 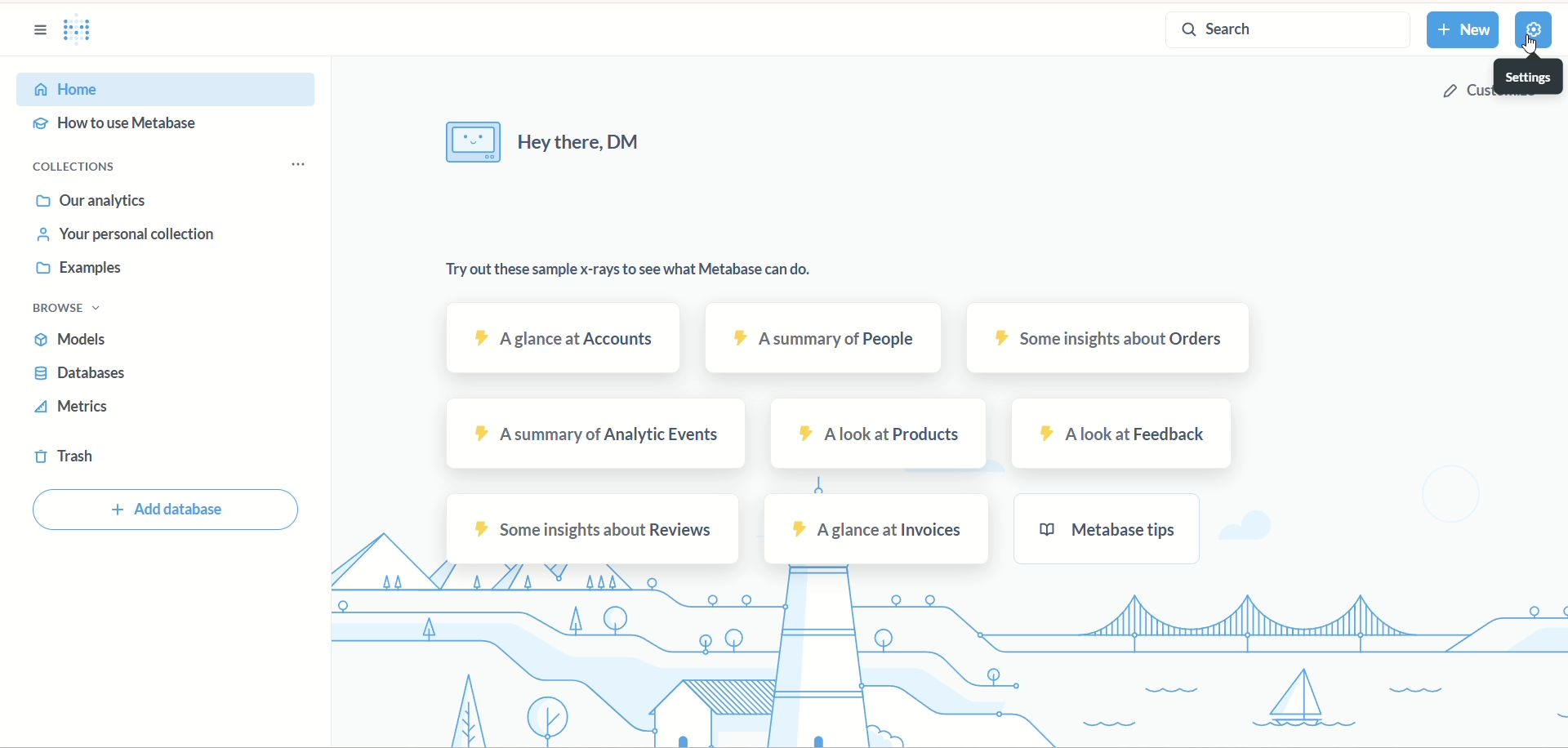 What do you see at coordinates (33, 33) in the screenshot?
I see `sidebar` at bounding box center [33, 33].